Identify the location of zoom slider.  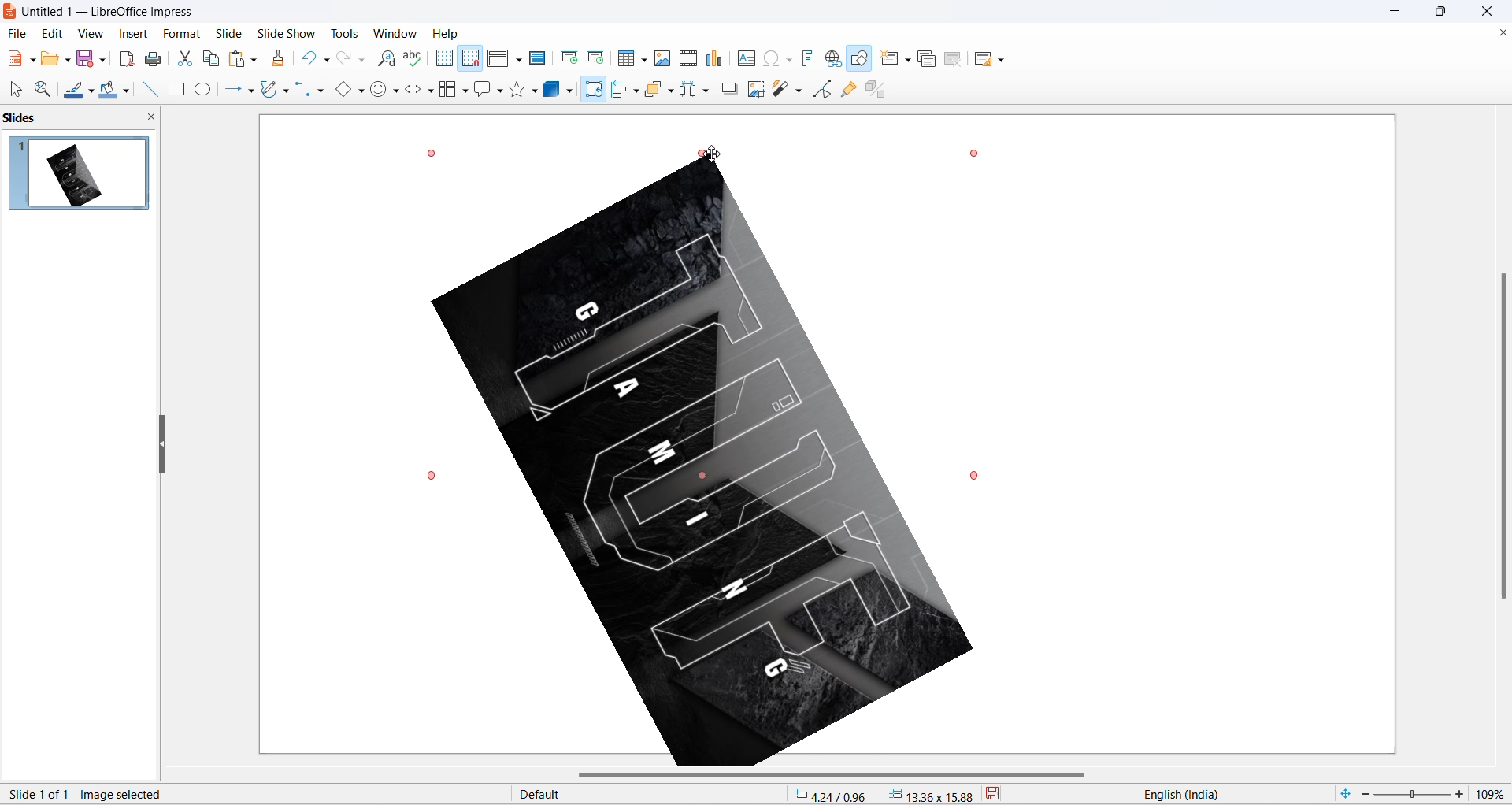
(1411, 795).